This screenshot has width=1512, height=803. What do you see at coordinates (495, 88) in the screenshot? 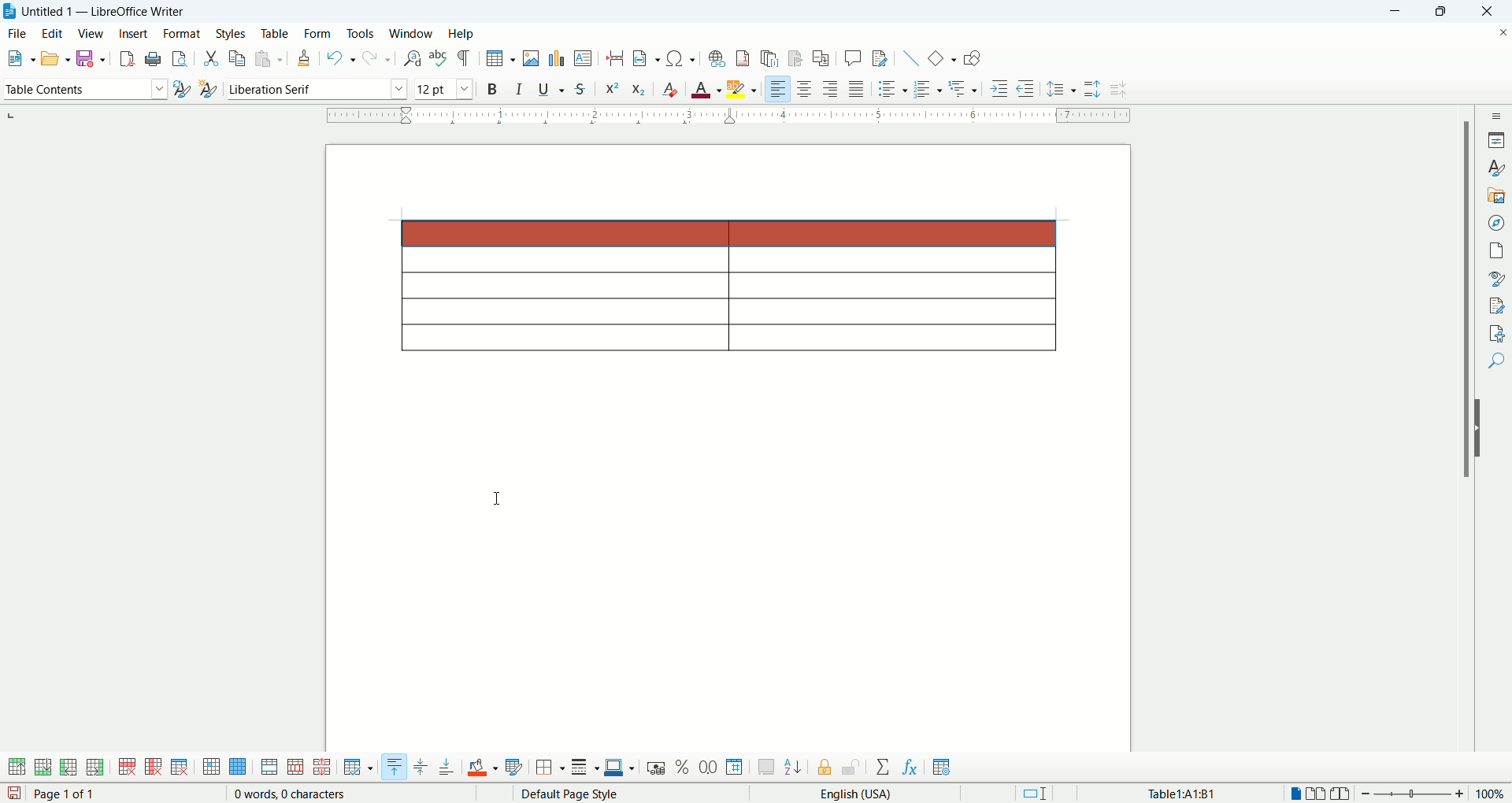
I see `bold` at bounding box center [495, 88].